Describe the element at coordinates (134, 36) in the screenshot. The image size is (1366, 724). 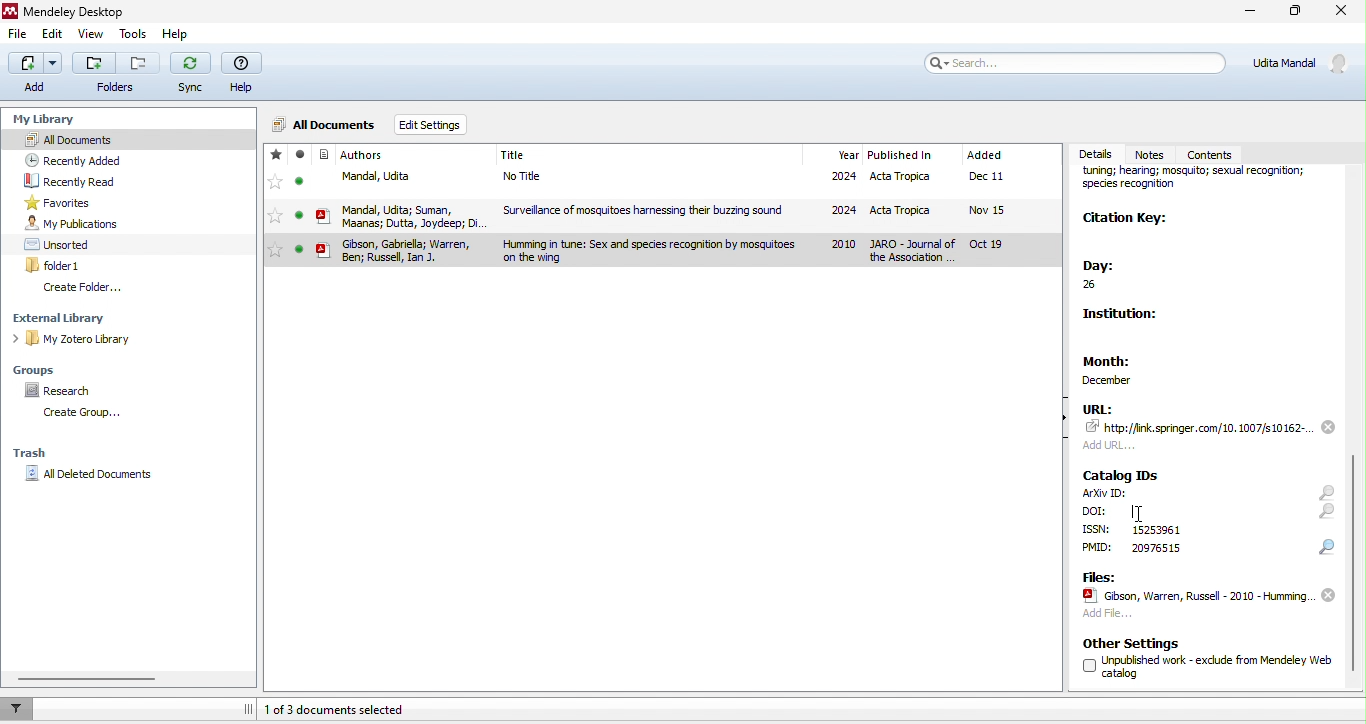
I see `tools` at that location.